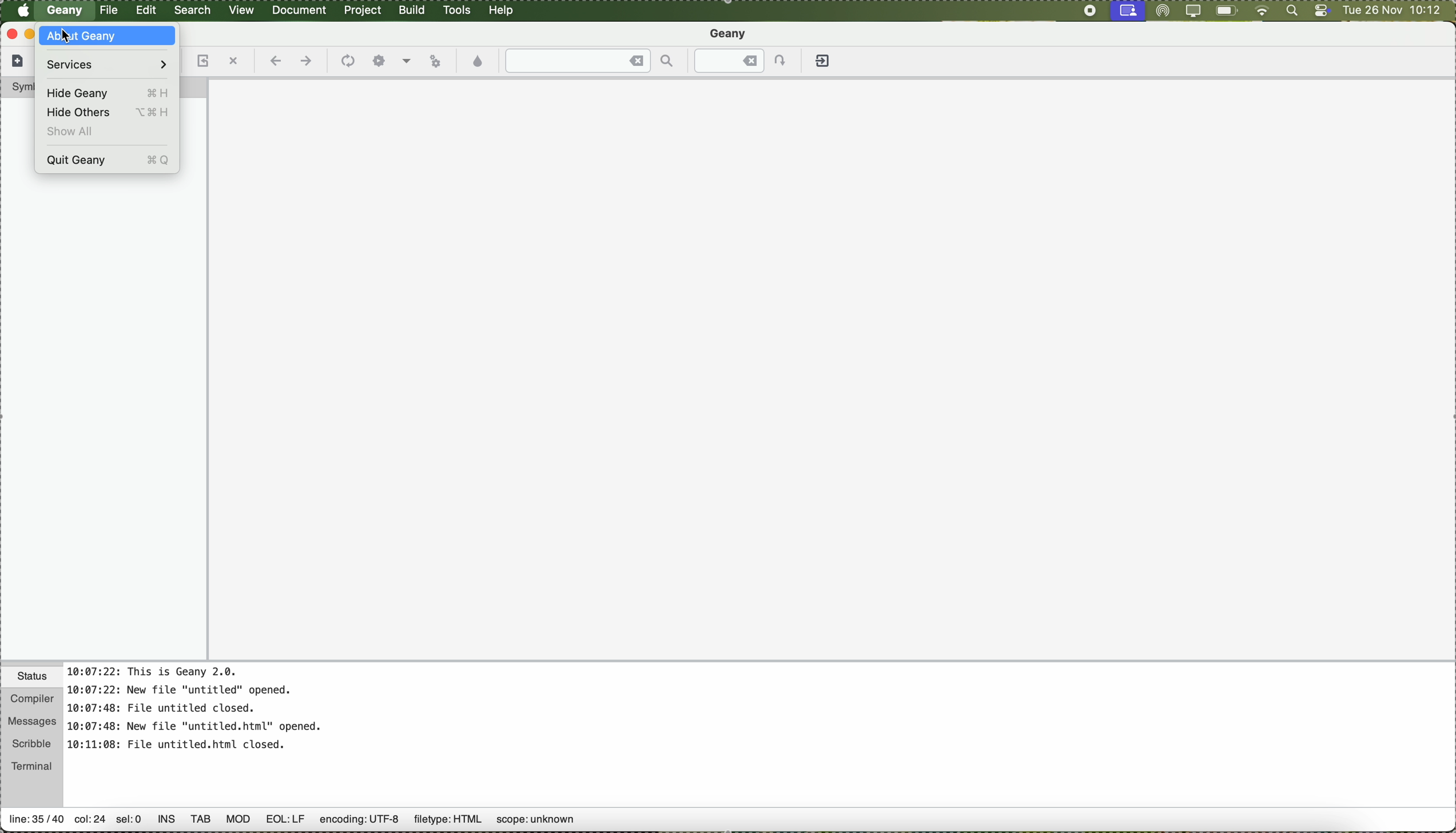 The width and height of the screenshot is (1456, 833). What do you see at coordinates (244, 11) in the screenshot?
I see `view` at bounding box center [244, 11].